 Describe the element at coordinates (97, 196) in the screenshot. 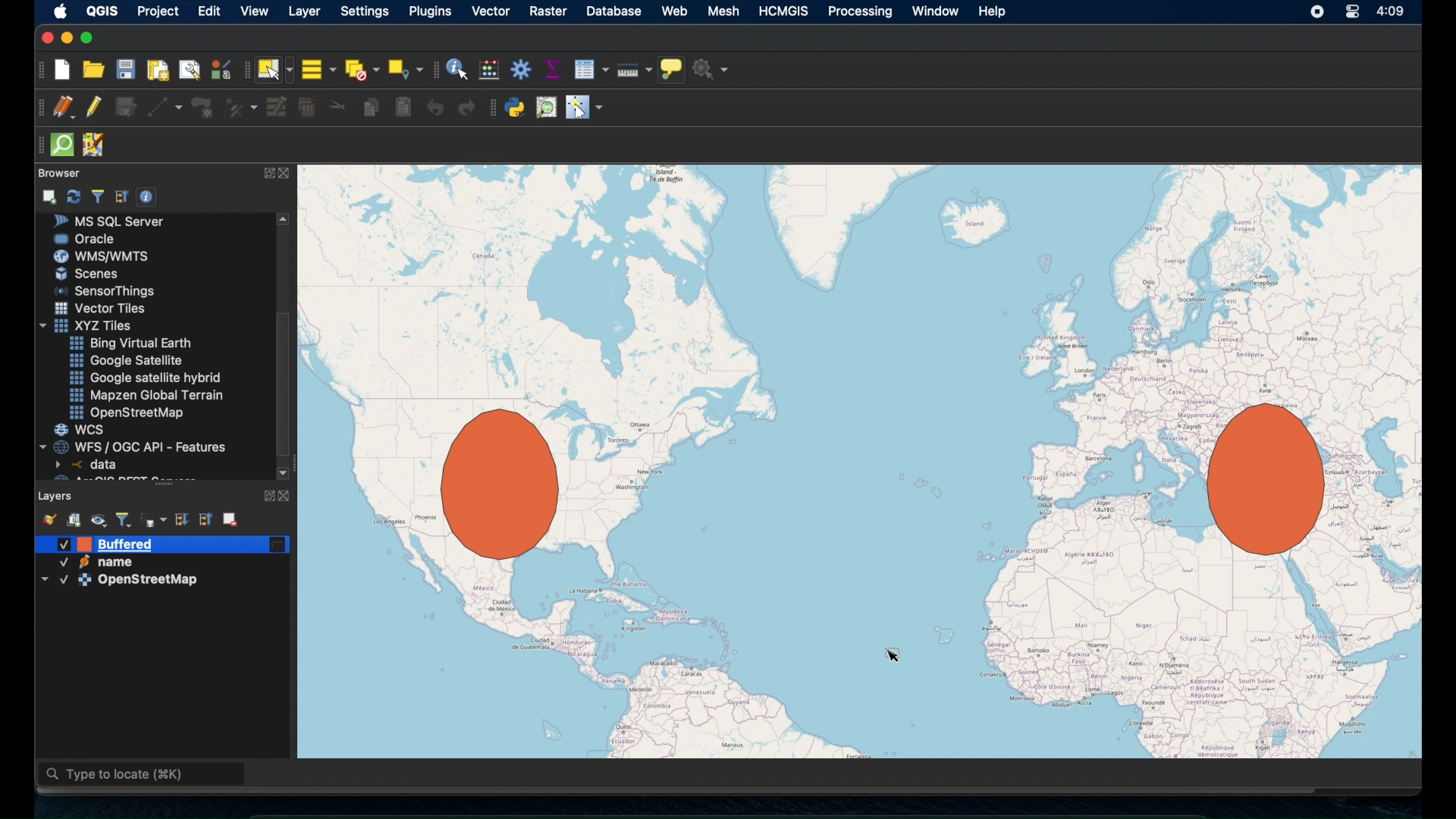

I see `filter browser` at that location.